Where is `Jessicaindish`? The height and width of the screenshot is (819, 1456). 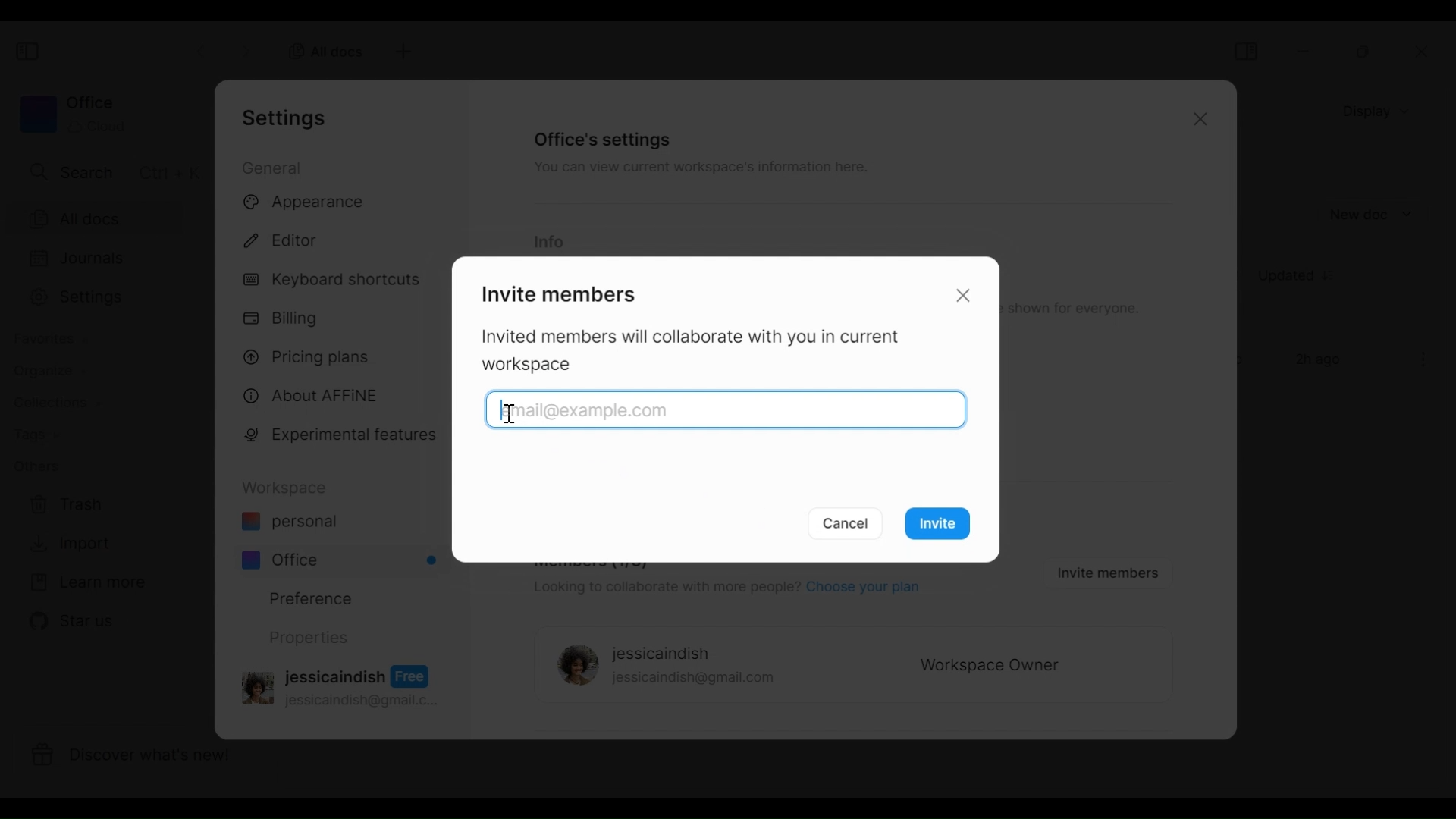
Jessicaindish is located at coordinates (661, 654).